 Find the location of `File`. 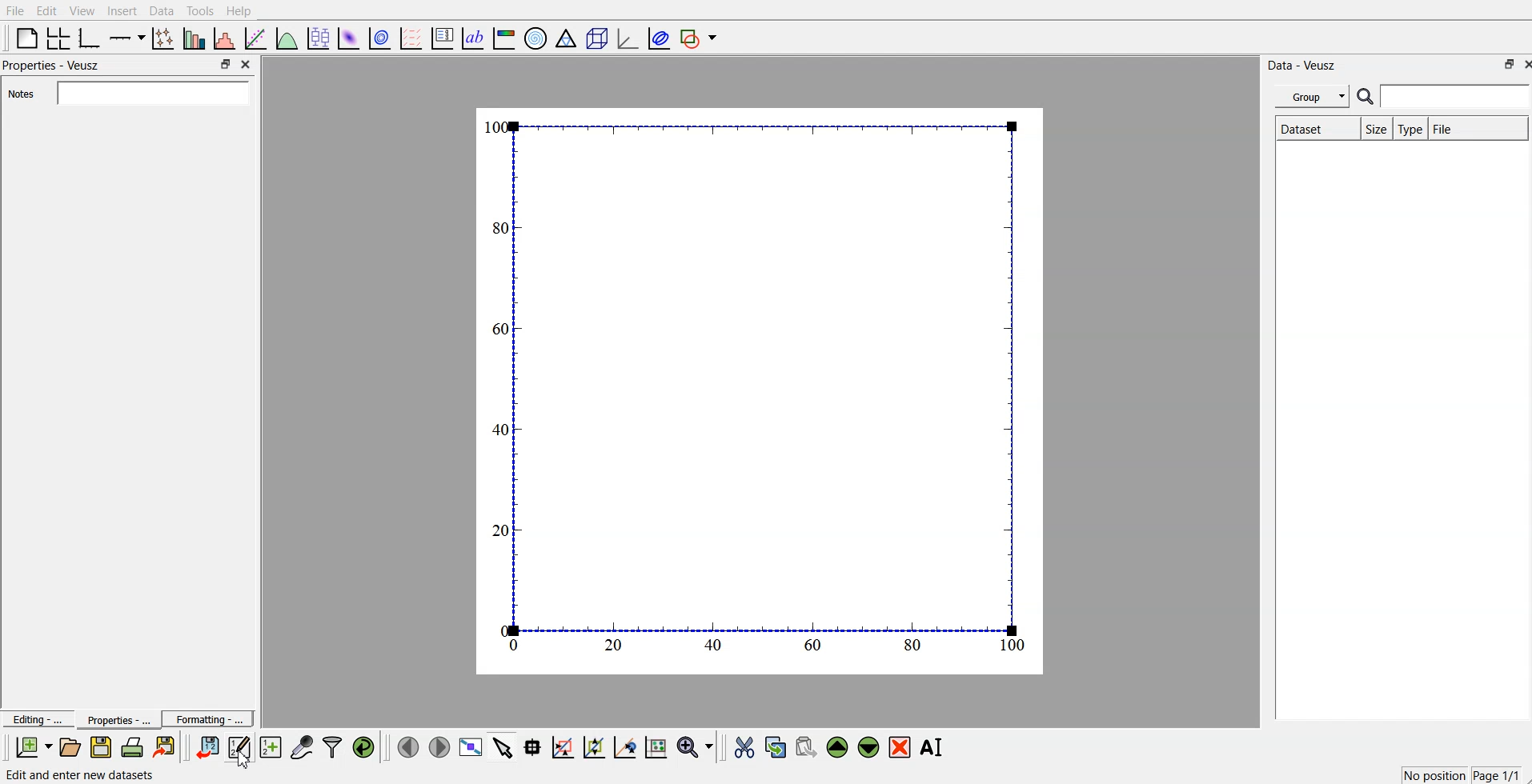

File is located at coordinates (15, 11).